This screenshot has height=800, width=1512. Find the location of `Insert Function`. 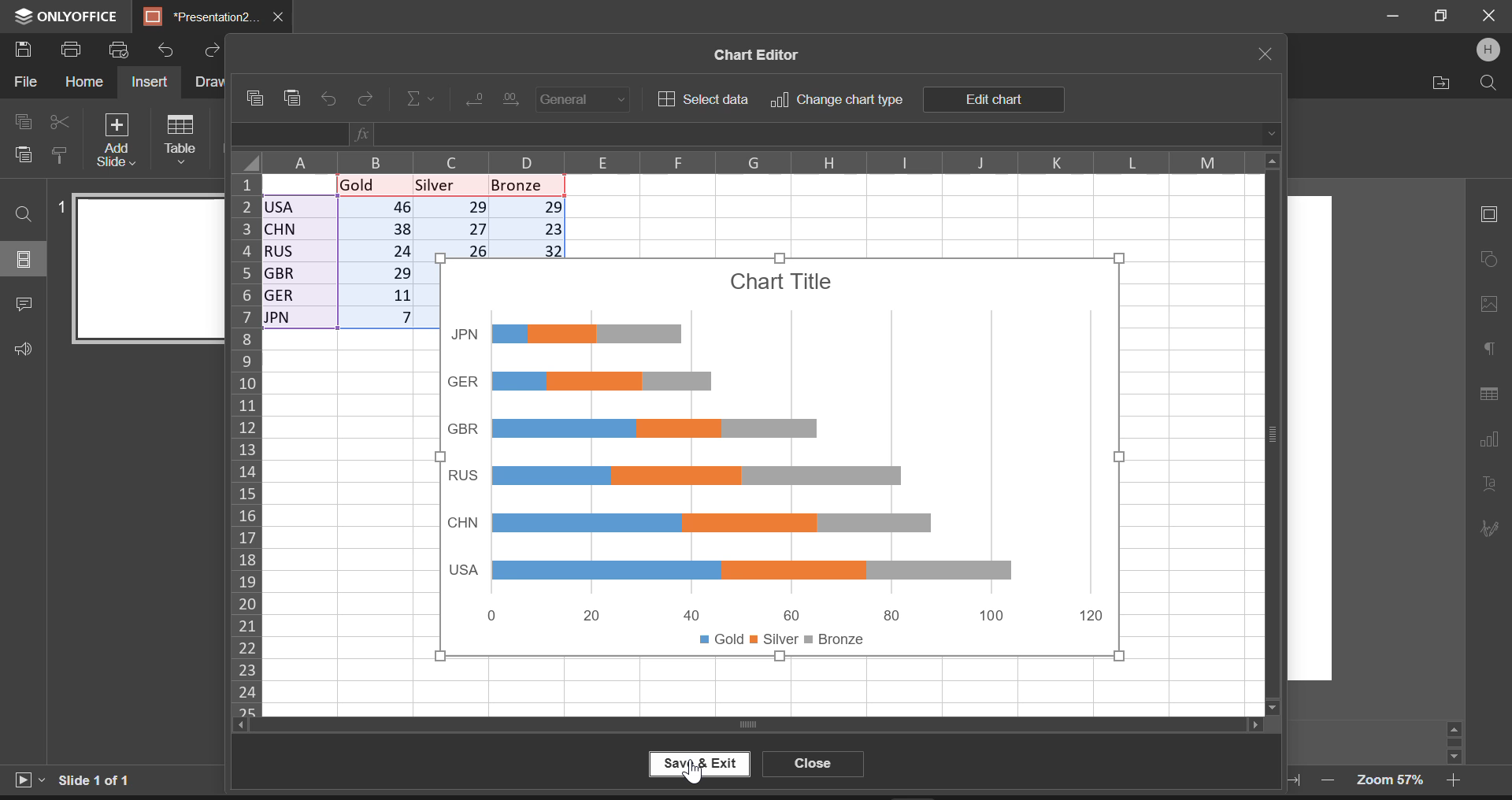

Insert Function is located at coordinates (421, 97).